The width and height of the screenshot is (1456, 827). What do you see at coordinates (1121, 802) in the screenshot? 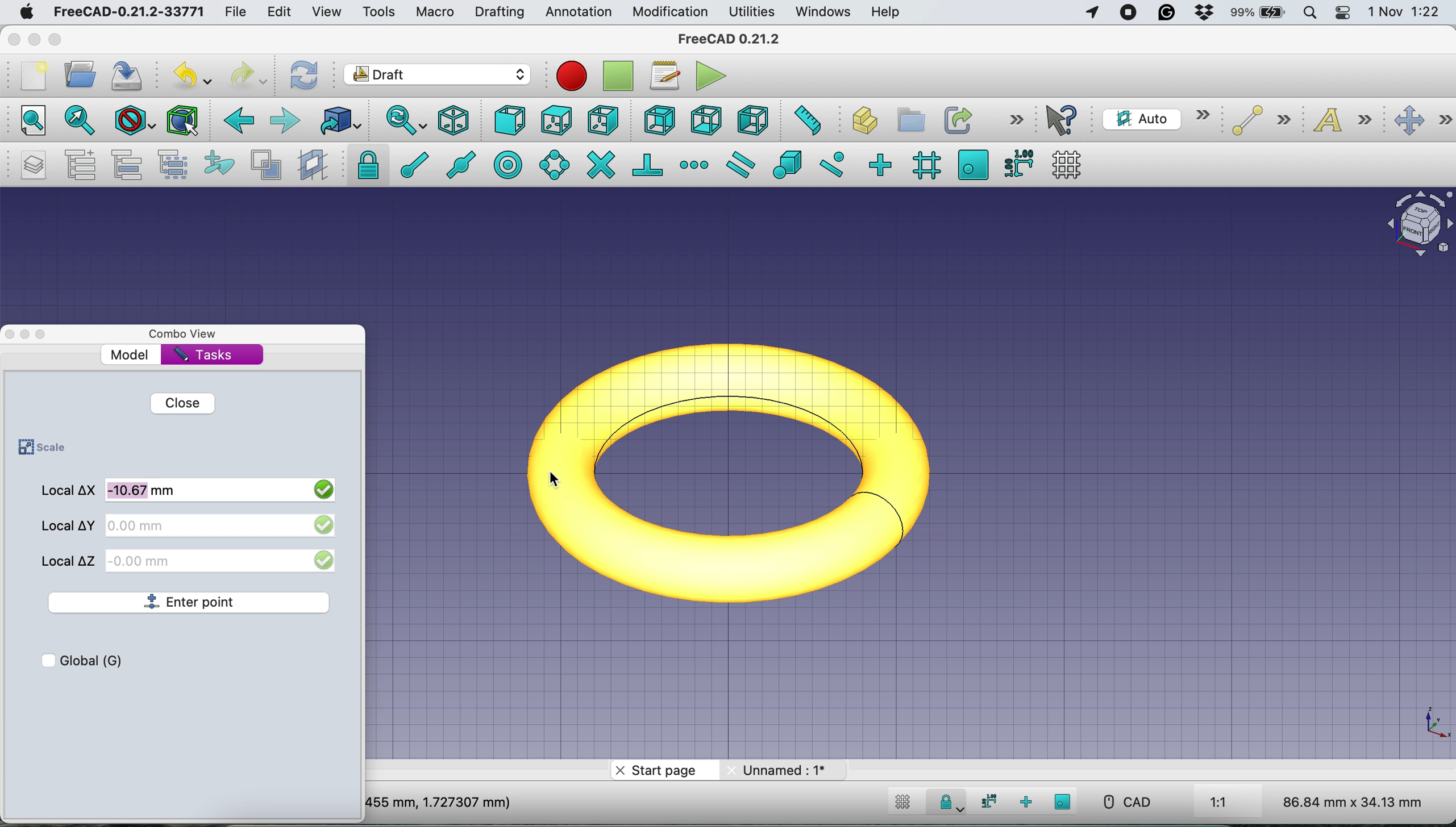
I see `CAD` at bounding box center [1121, 802].